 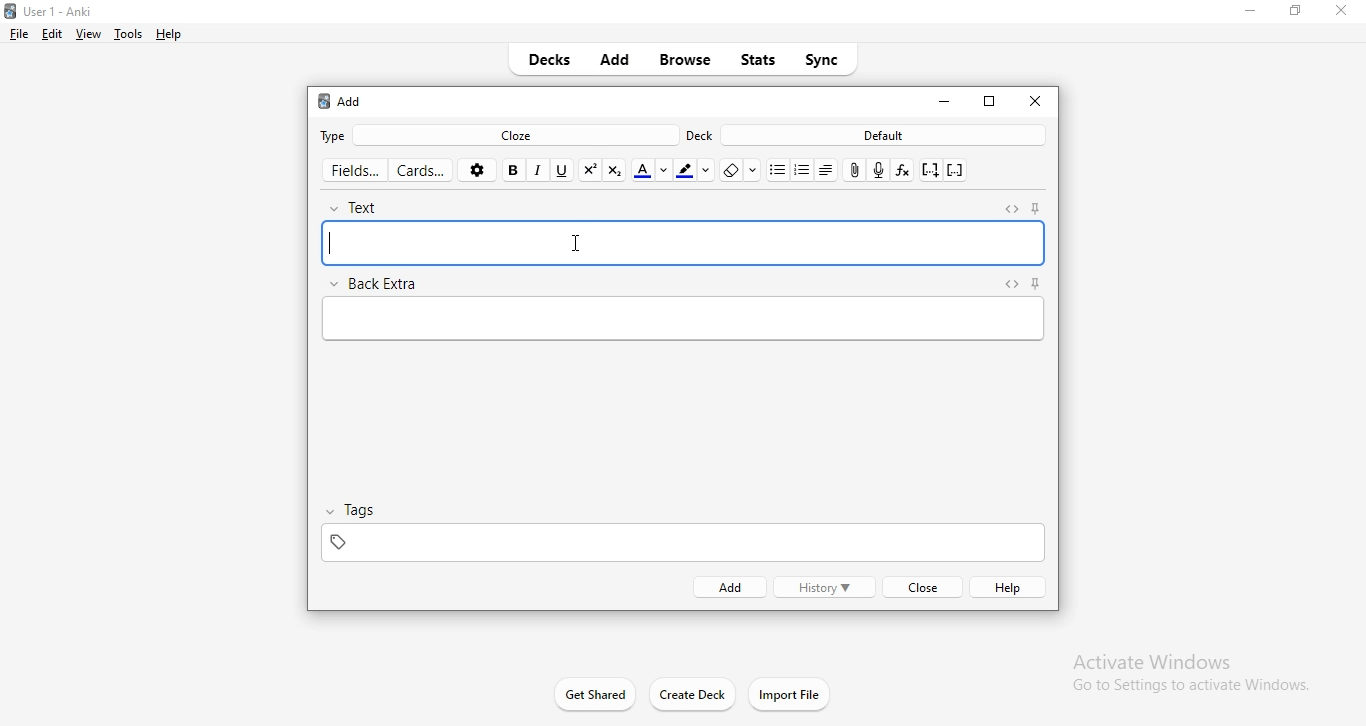 What do you see at coordinates (577, 245) in the screenshot?
I see `Icursor` at bounding box center [577, 245].